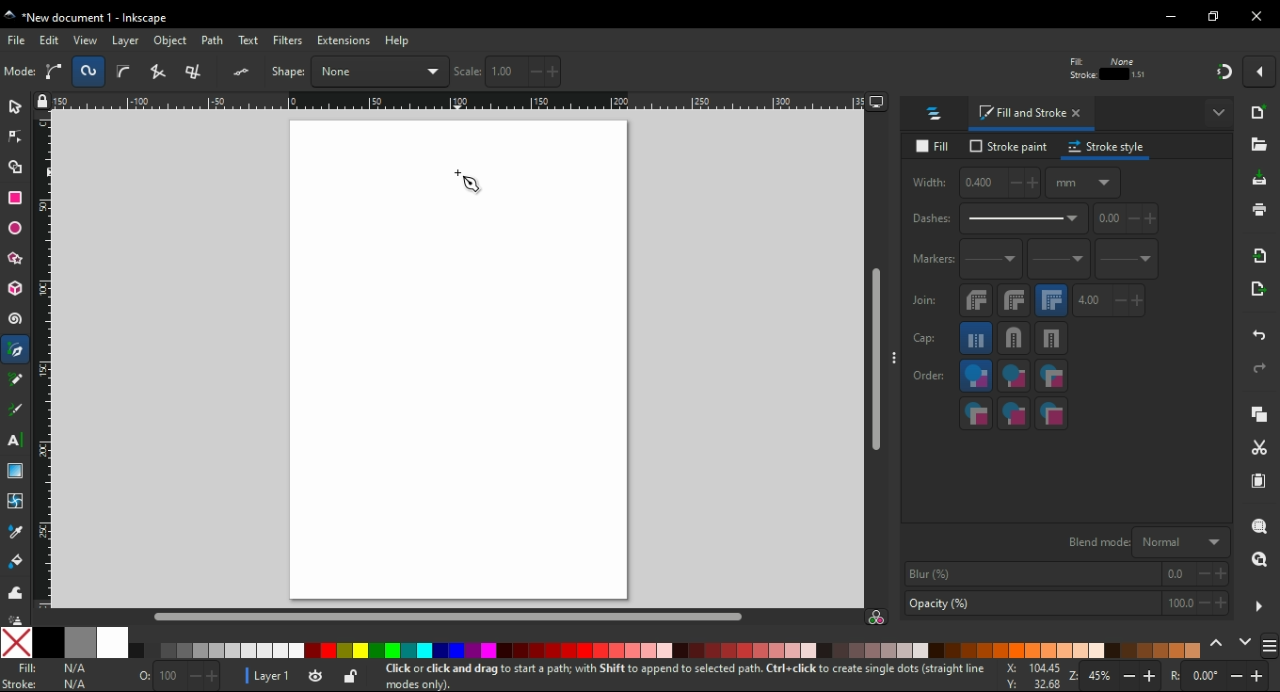  Describe the element at coordinates (977, 338) in the screenshot. I see `butt` at that location.